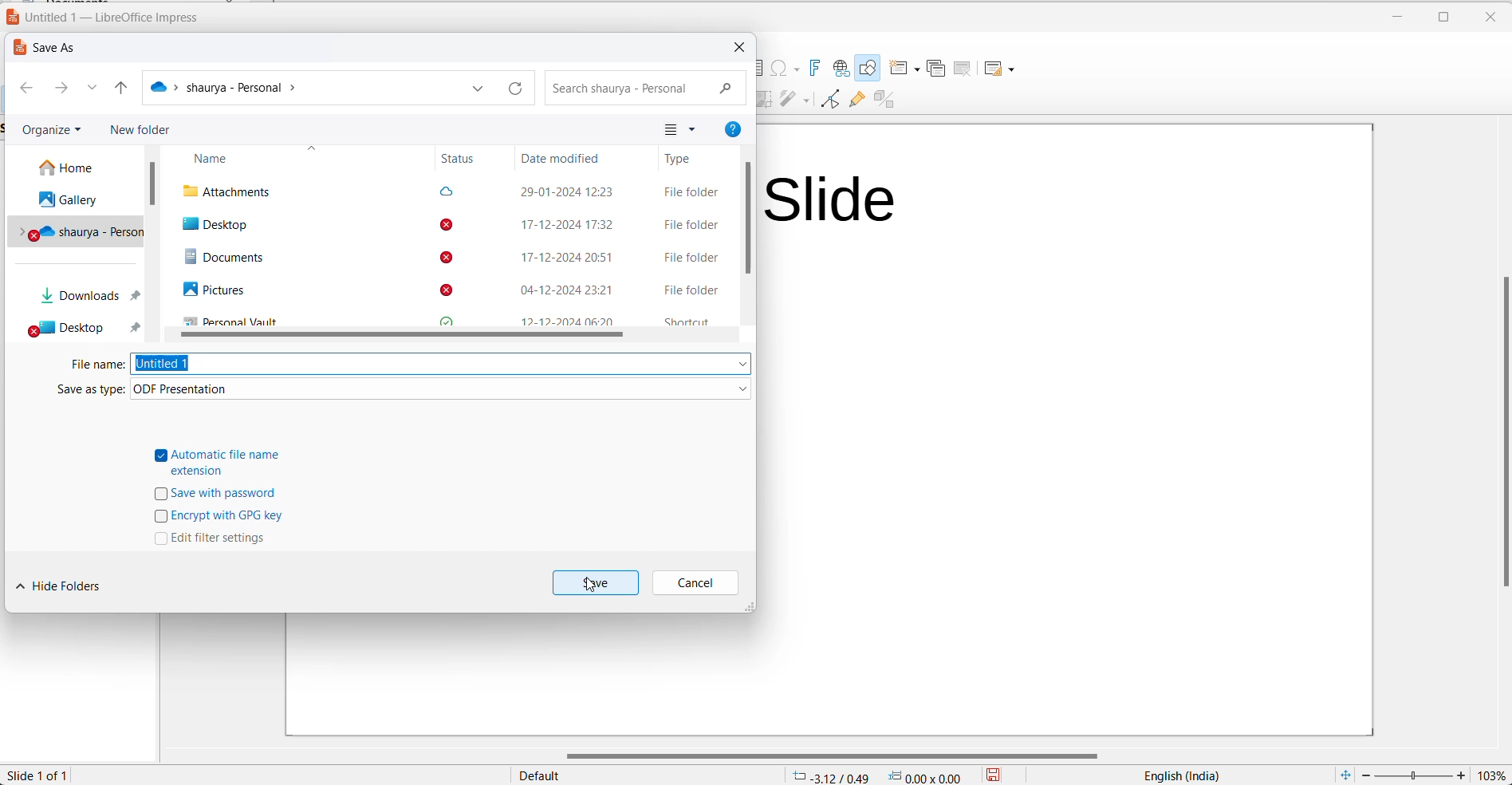 The width and height of the screenshot is (1512, 785). What do you see at coordinates (926, 775) in the screenshot?
I see `dimension` at bounding box center [926, 775].